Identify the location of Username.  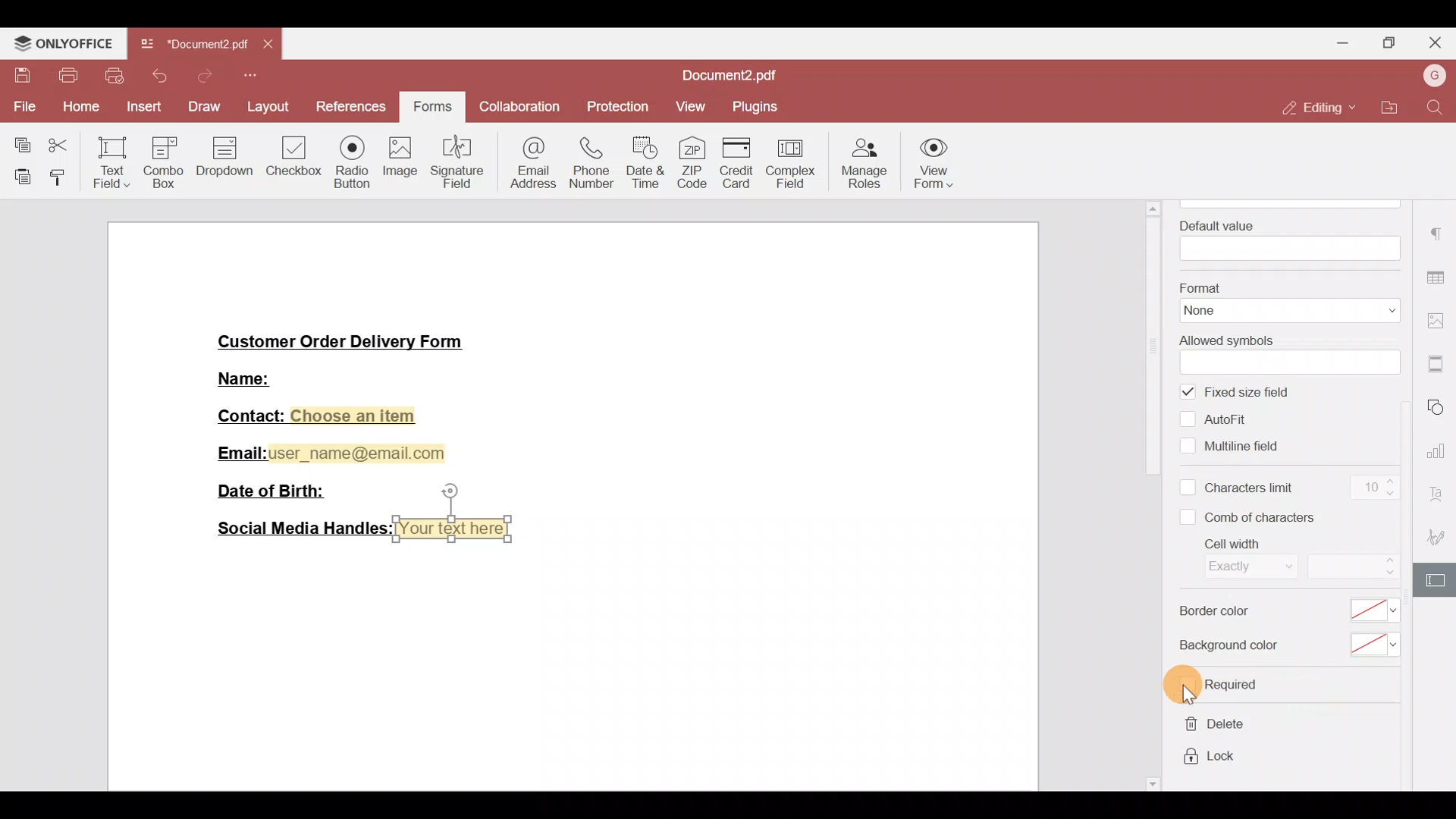
(1432, 77).